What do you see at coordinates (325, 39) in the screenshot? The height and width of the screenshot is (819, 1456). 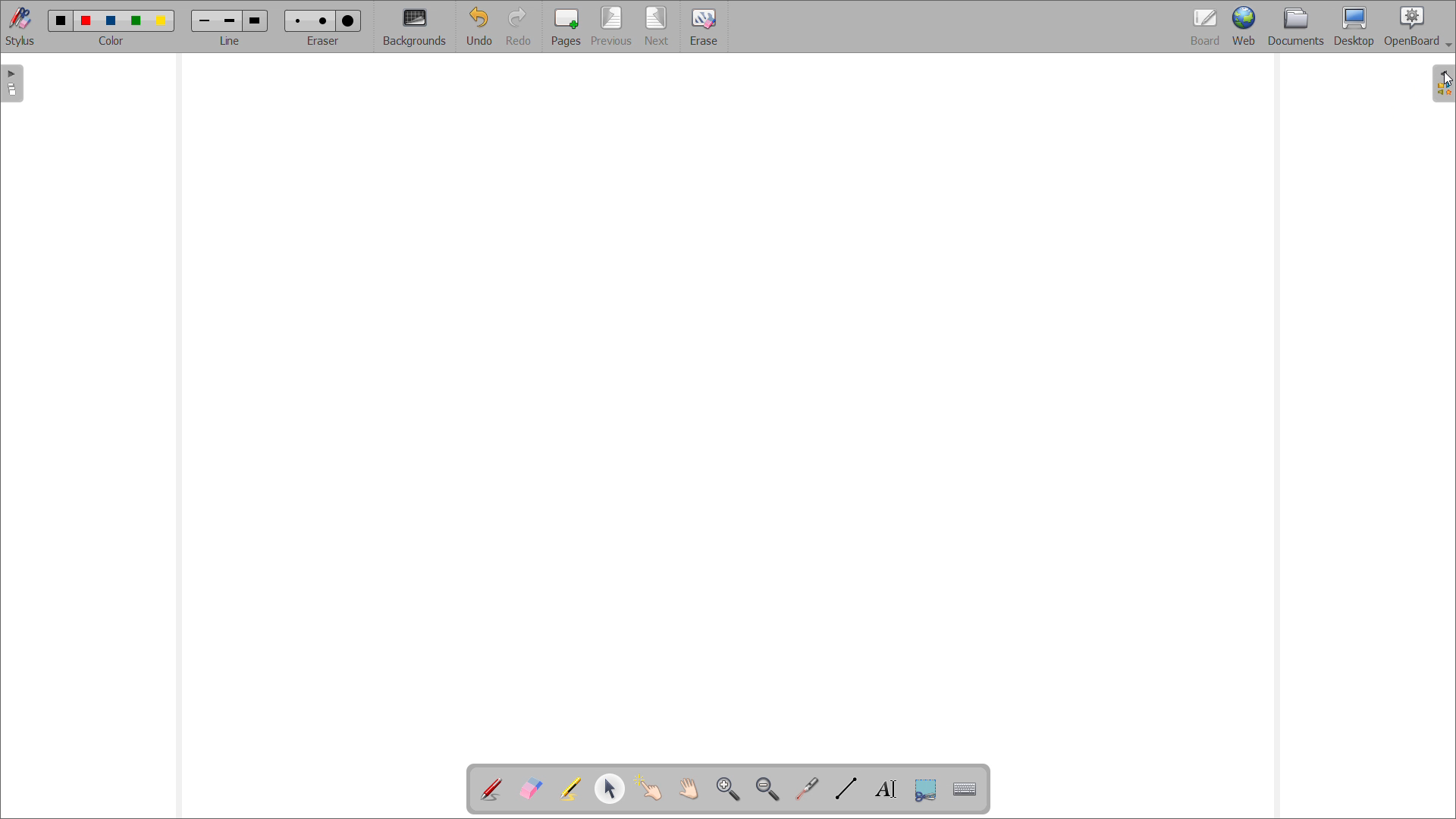 I see `eraser` at bounding box center [325, 39].